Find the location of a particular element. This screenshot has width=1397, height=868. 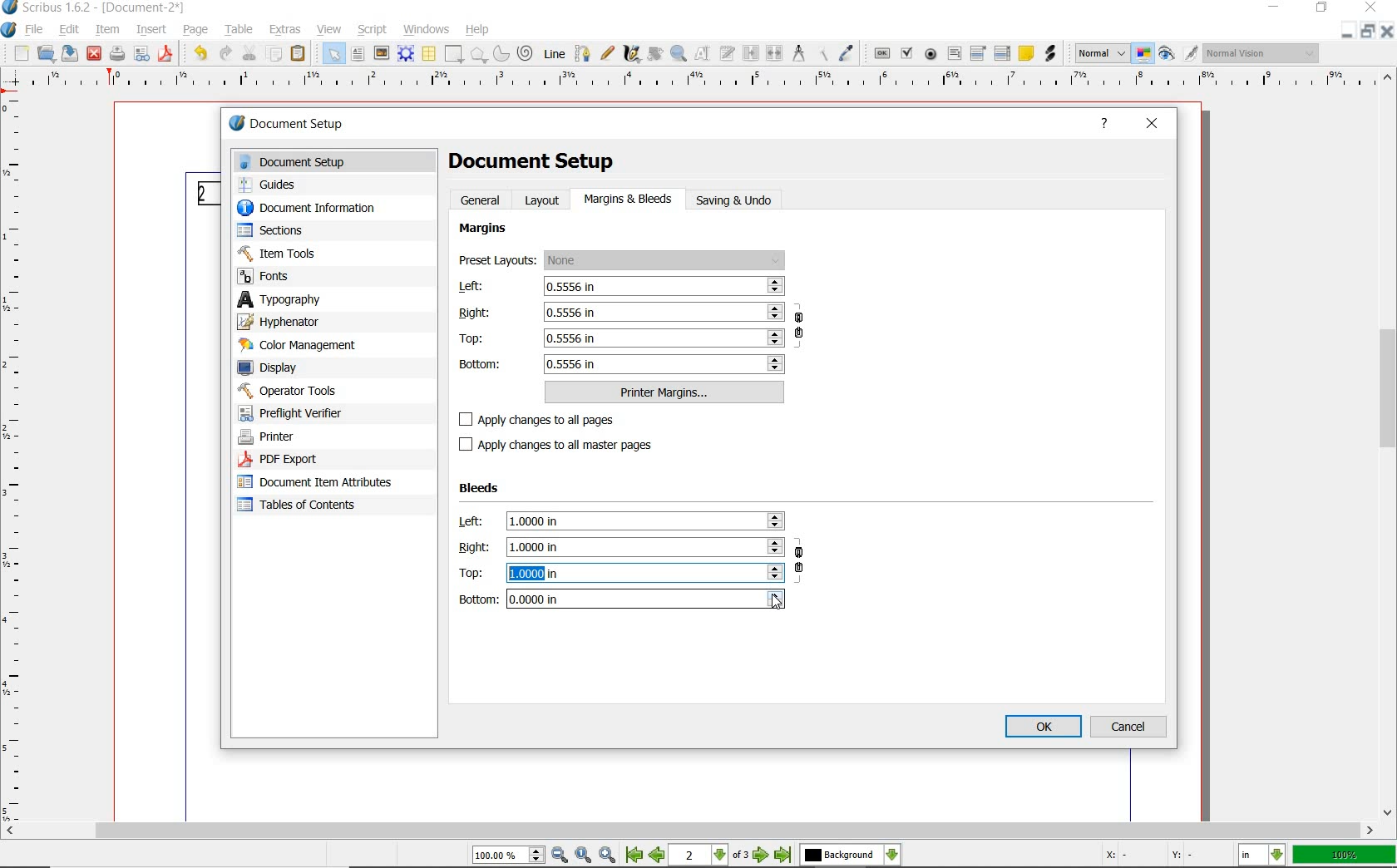

pdf text field is located at coordinates (954, 53).